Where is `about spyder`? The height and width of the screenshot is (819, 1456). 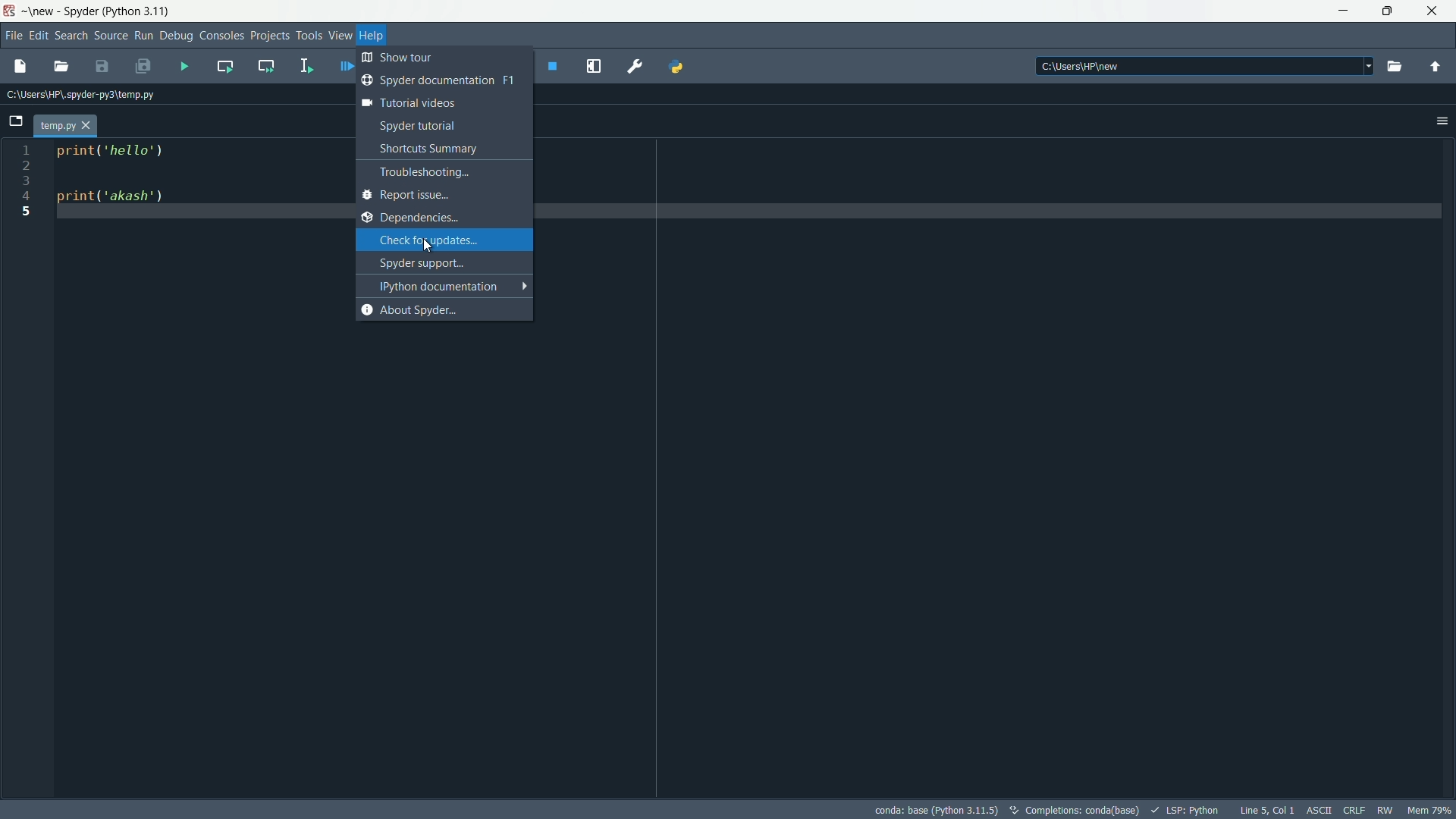
about spyder is located at coordinates (438, 309).